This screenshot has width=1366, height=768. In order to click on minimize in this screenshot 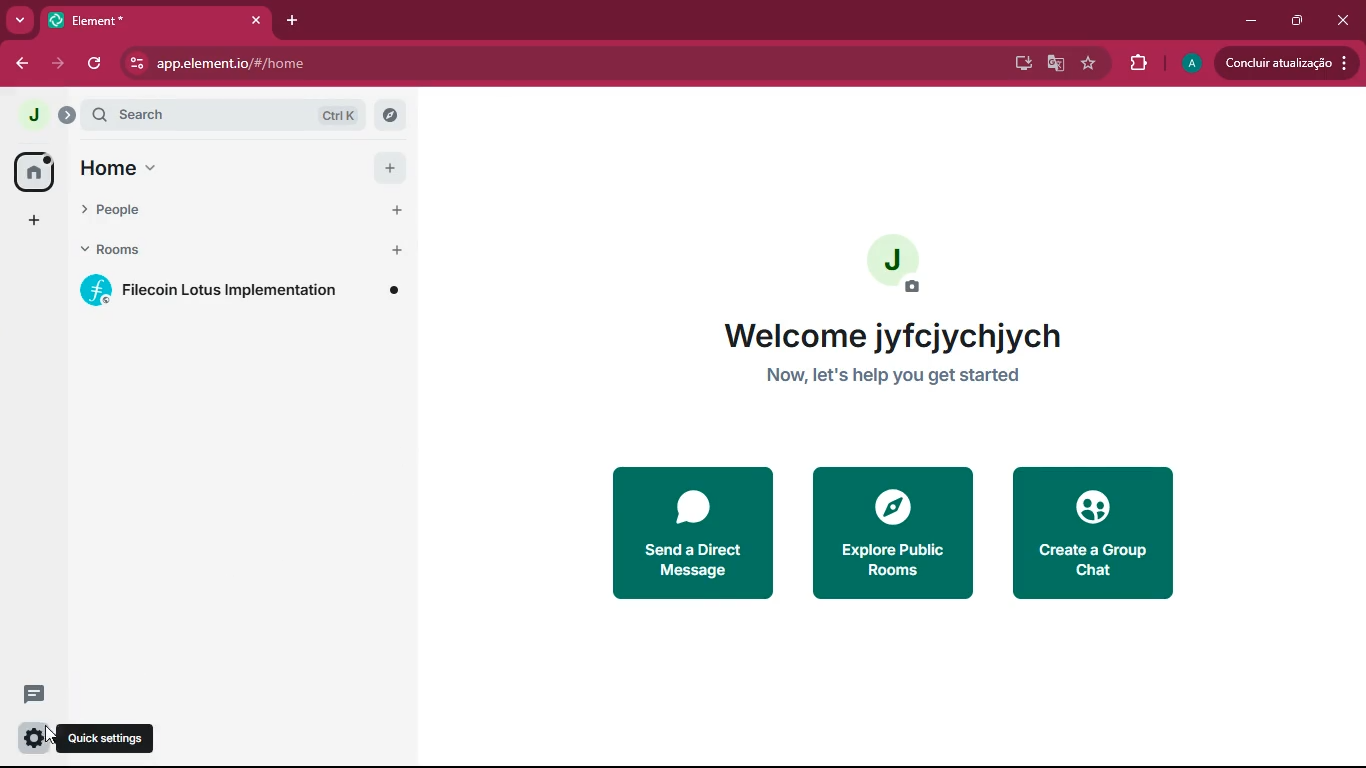, I will do `click(1250, 22)`.